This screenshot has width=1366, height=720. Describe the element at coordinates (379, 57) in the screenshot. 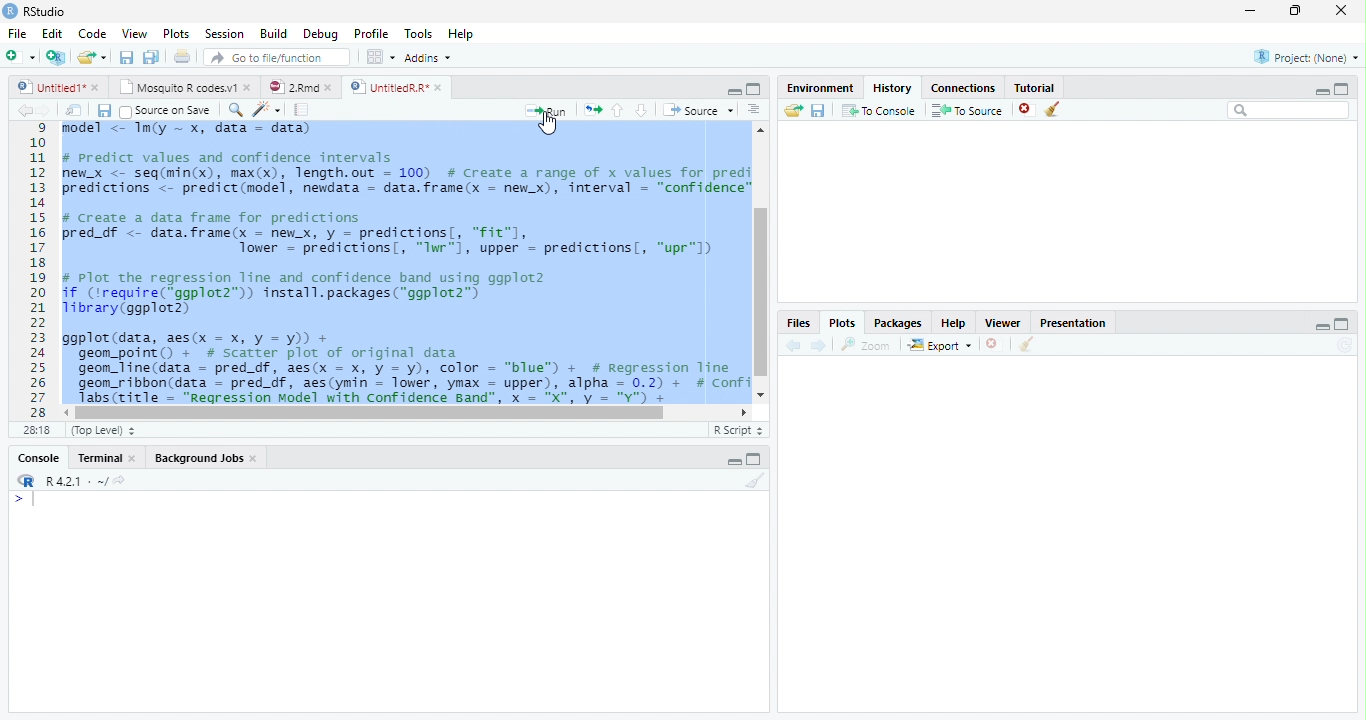

I see `Wrokspace panes` at that location.